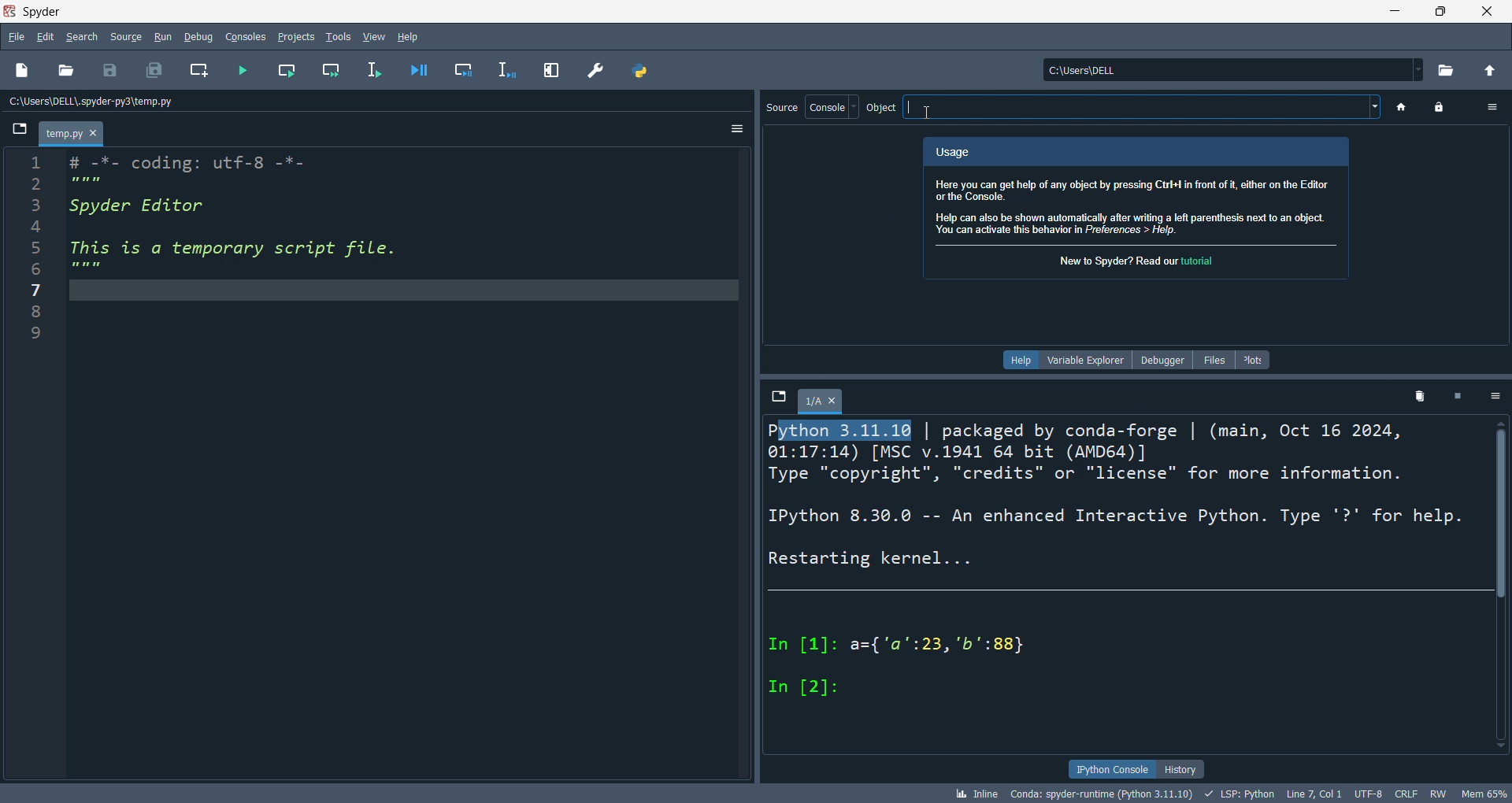  I want to click on search, so click(80, 33).